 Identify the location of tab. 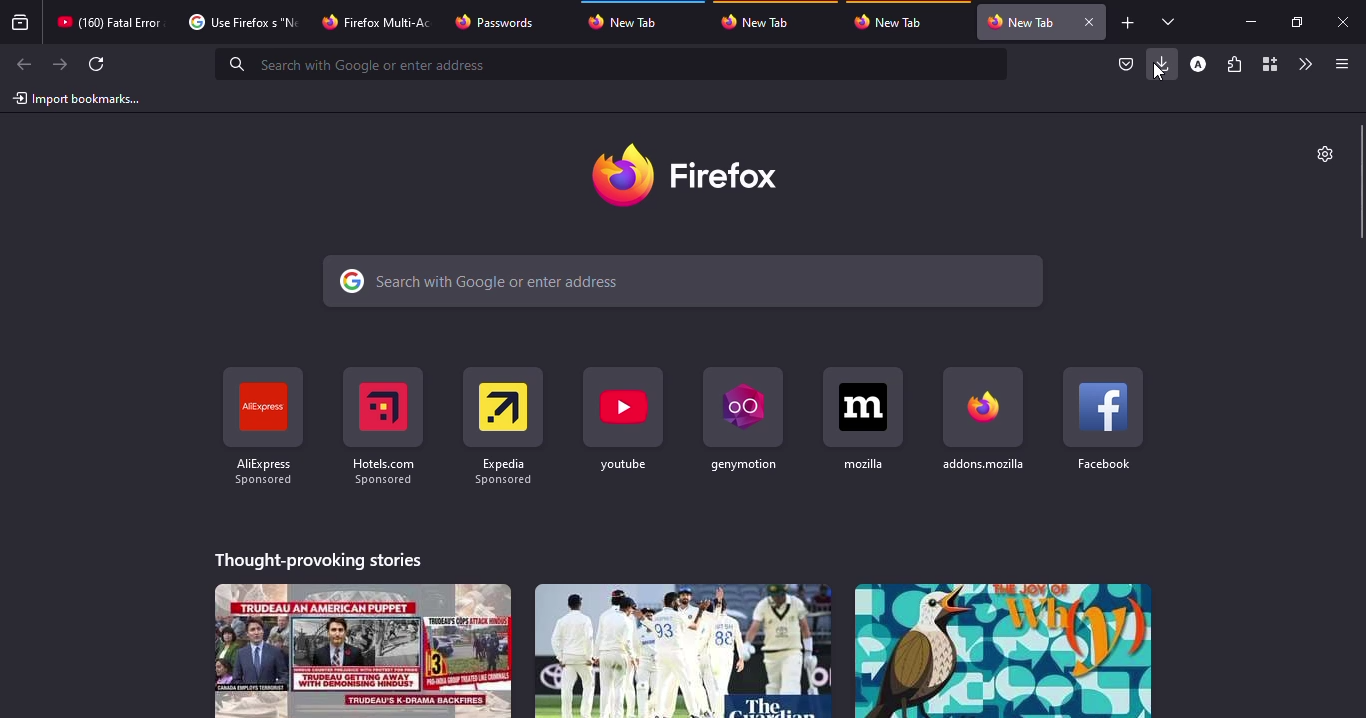
(1021, 22).